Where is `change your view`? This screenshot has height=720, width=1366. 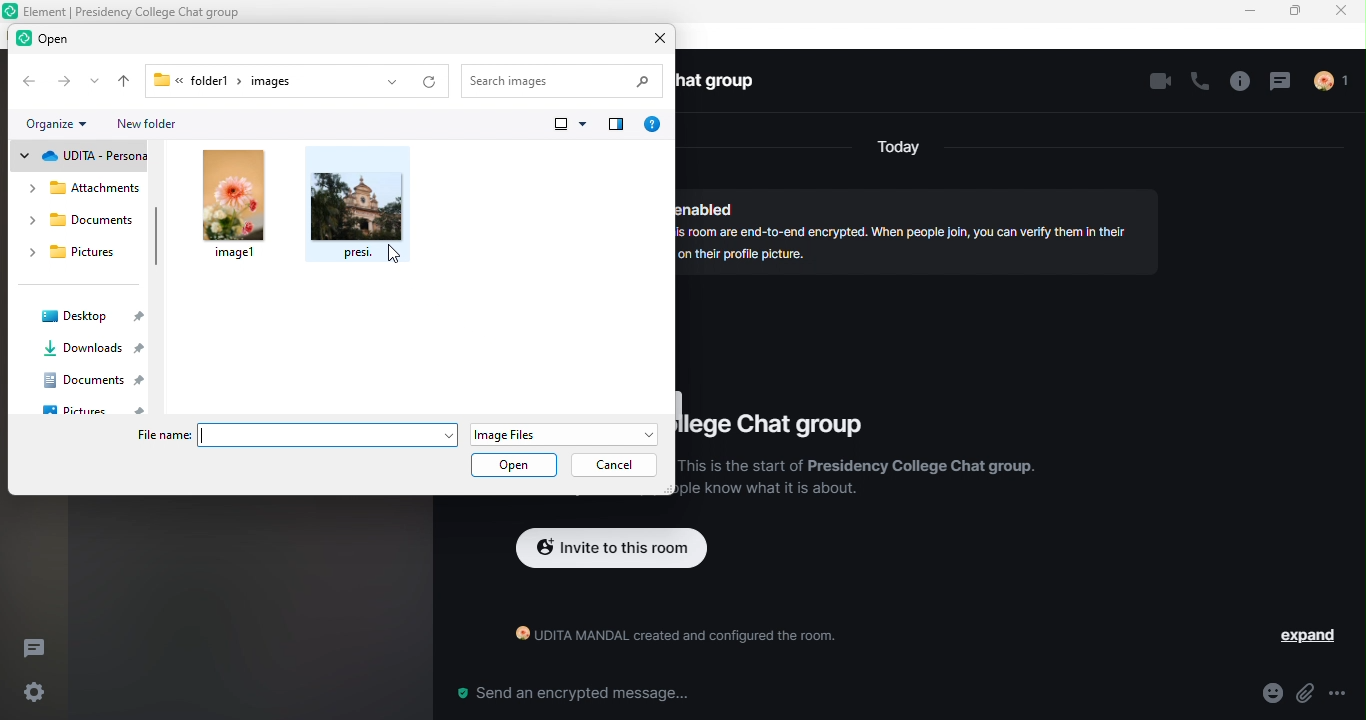 change your view is located at coordinates (570, 126).